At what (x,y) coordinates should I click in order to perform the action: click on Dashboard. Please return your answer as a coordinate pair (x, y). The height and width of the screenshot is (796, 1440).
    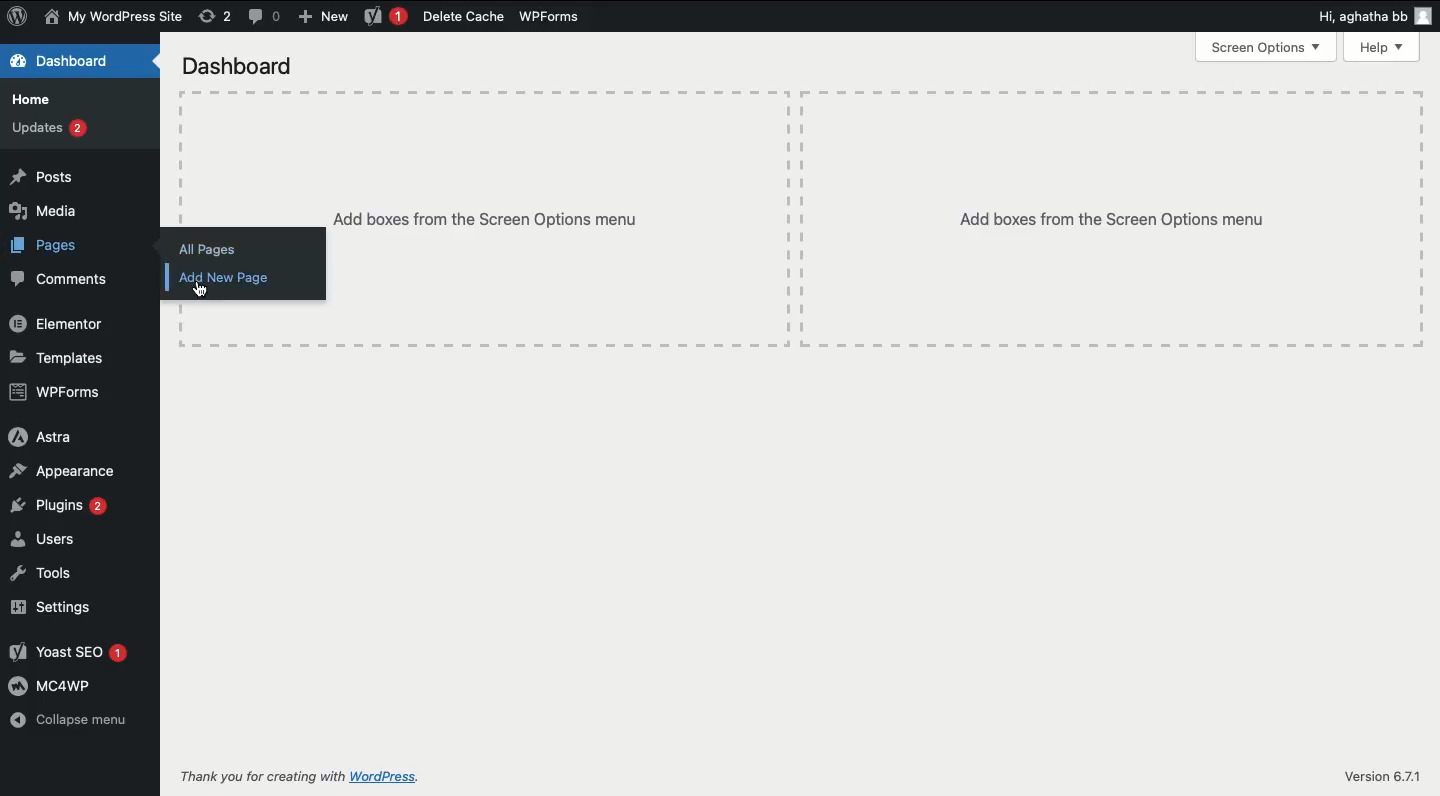
    Looking at the image, I should click on (244, 67).